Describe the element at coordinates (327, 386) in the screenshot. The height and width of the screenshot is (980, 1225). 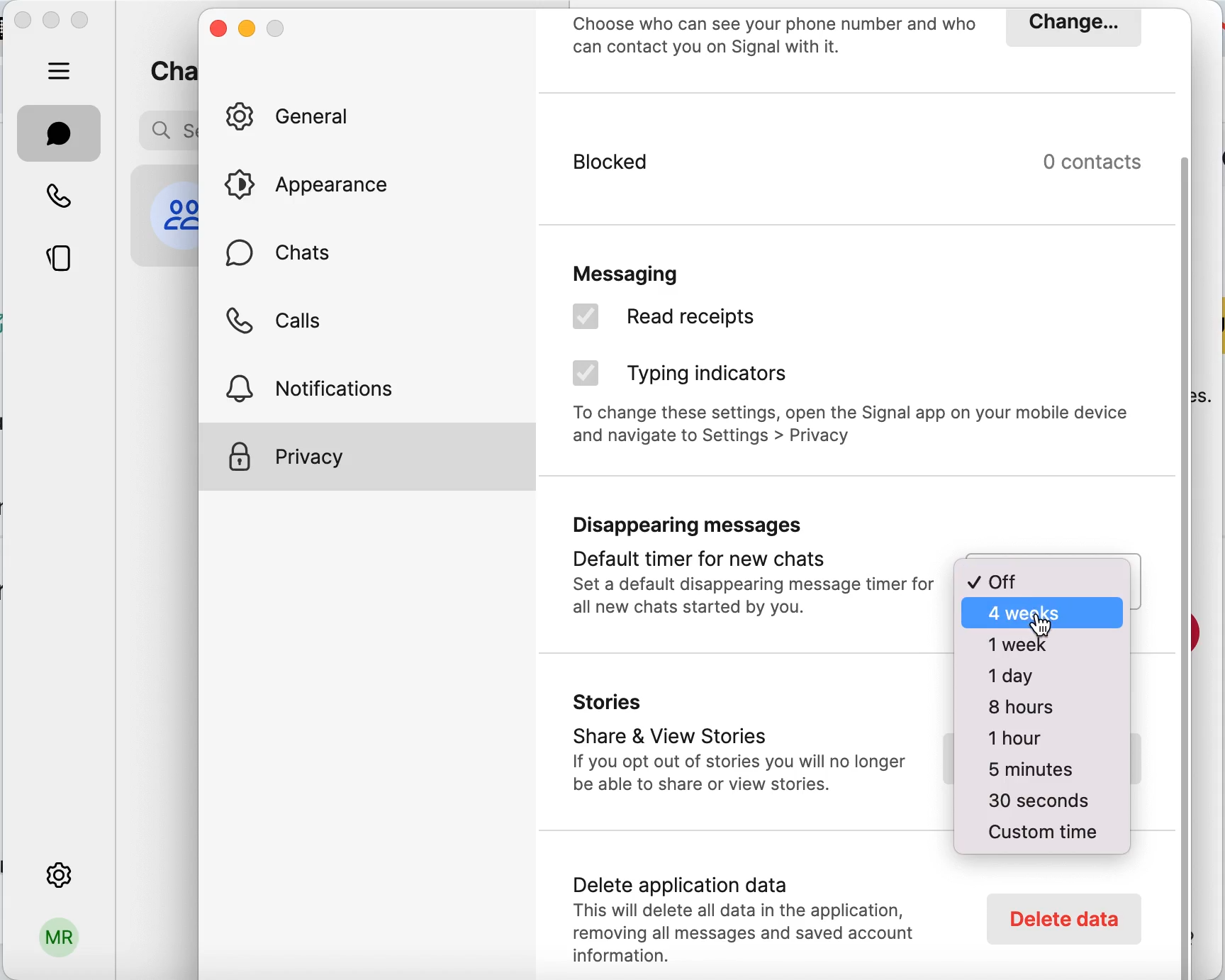
I see `notifications` at that location.